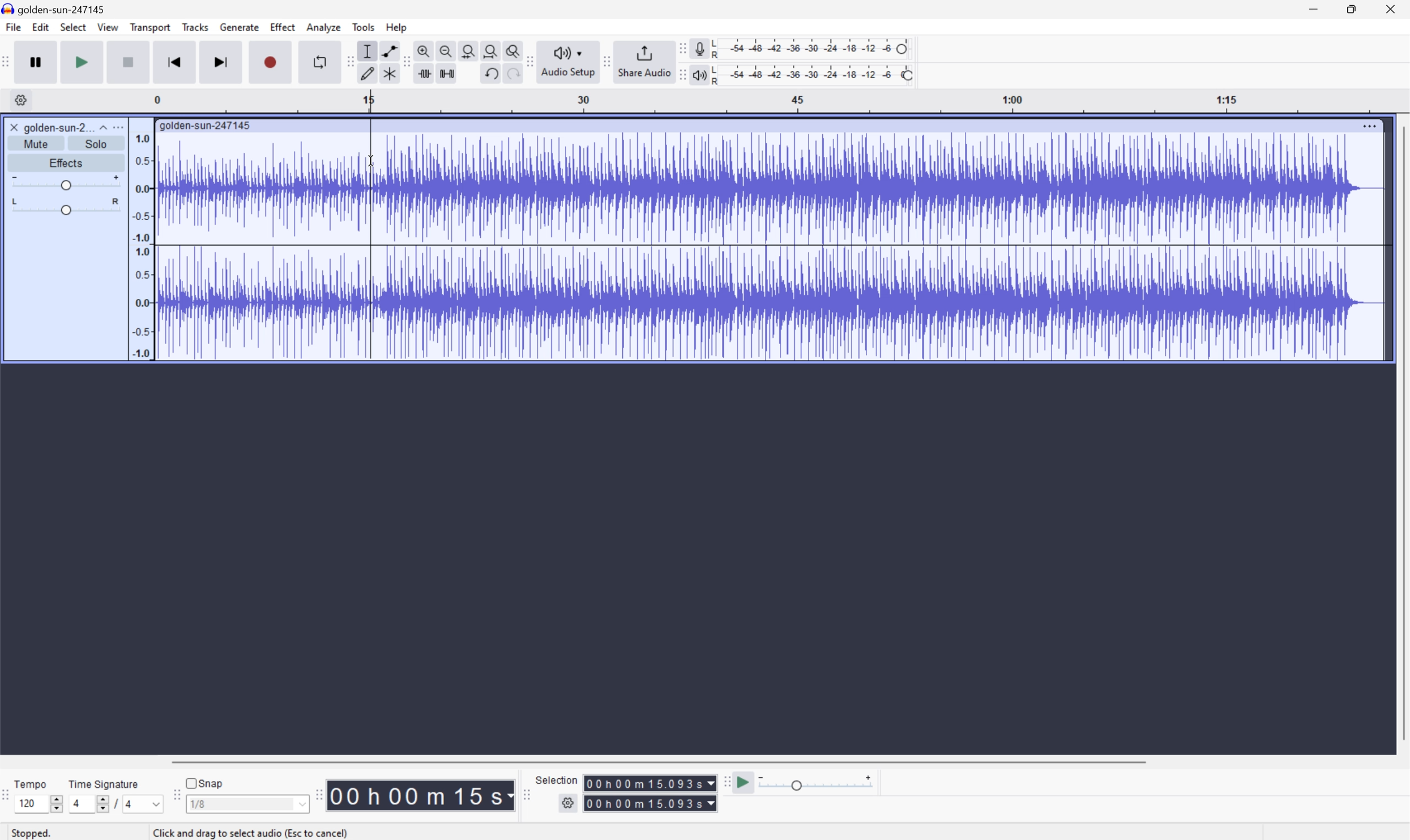  Describe the element at coordinates (397, 27) in the screenshot. I see `Help` at that location.